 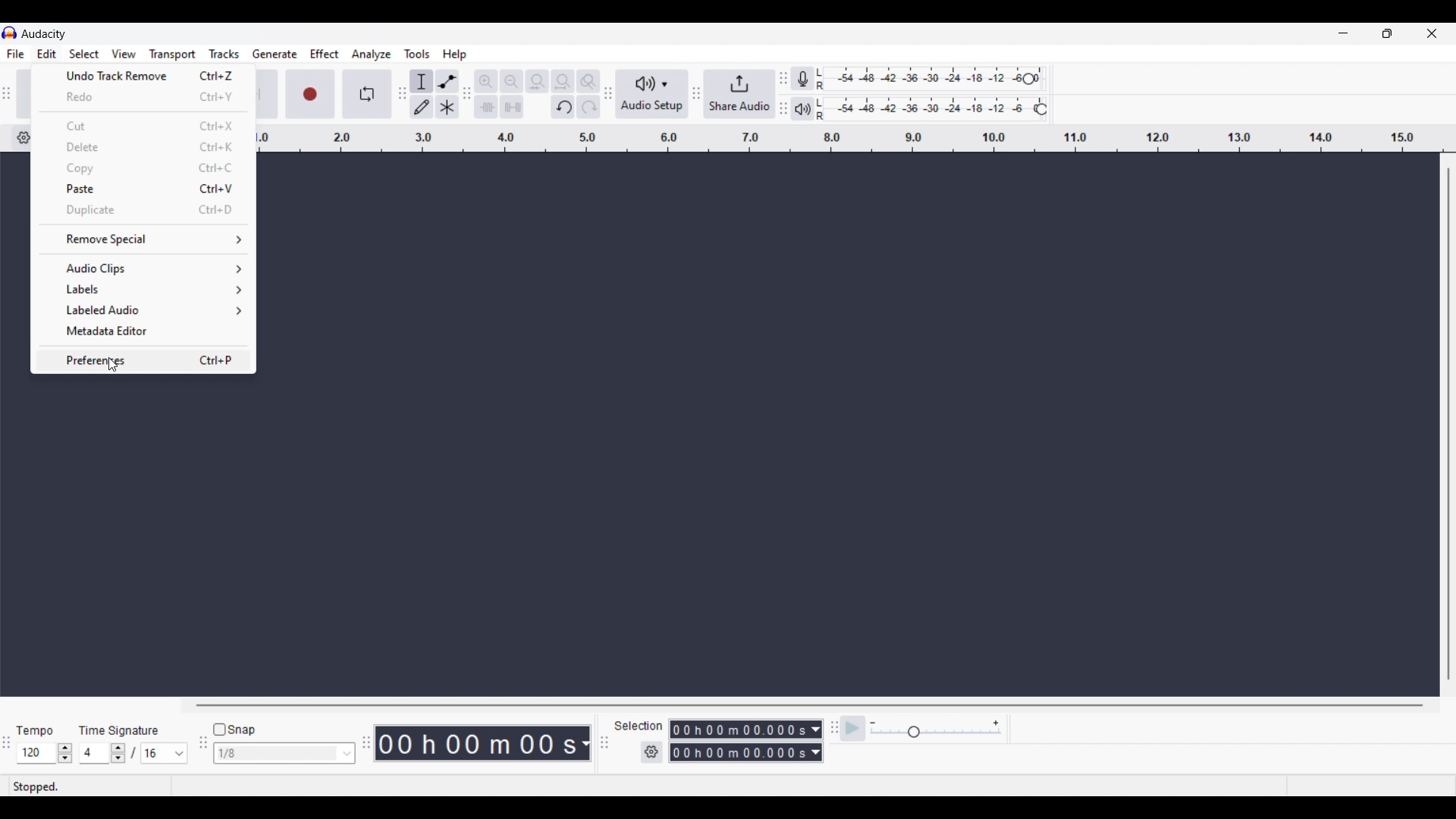 What do you see at coordinates (1028, 78) in the screenshot?
I see `Change recording level` at bounding box center [1028, 78].